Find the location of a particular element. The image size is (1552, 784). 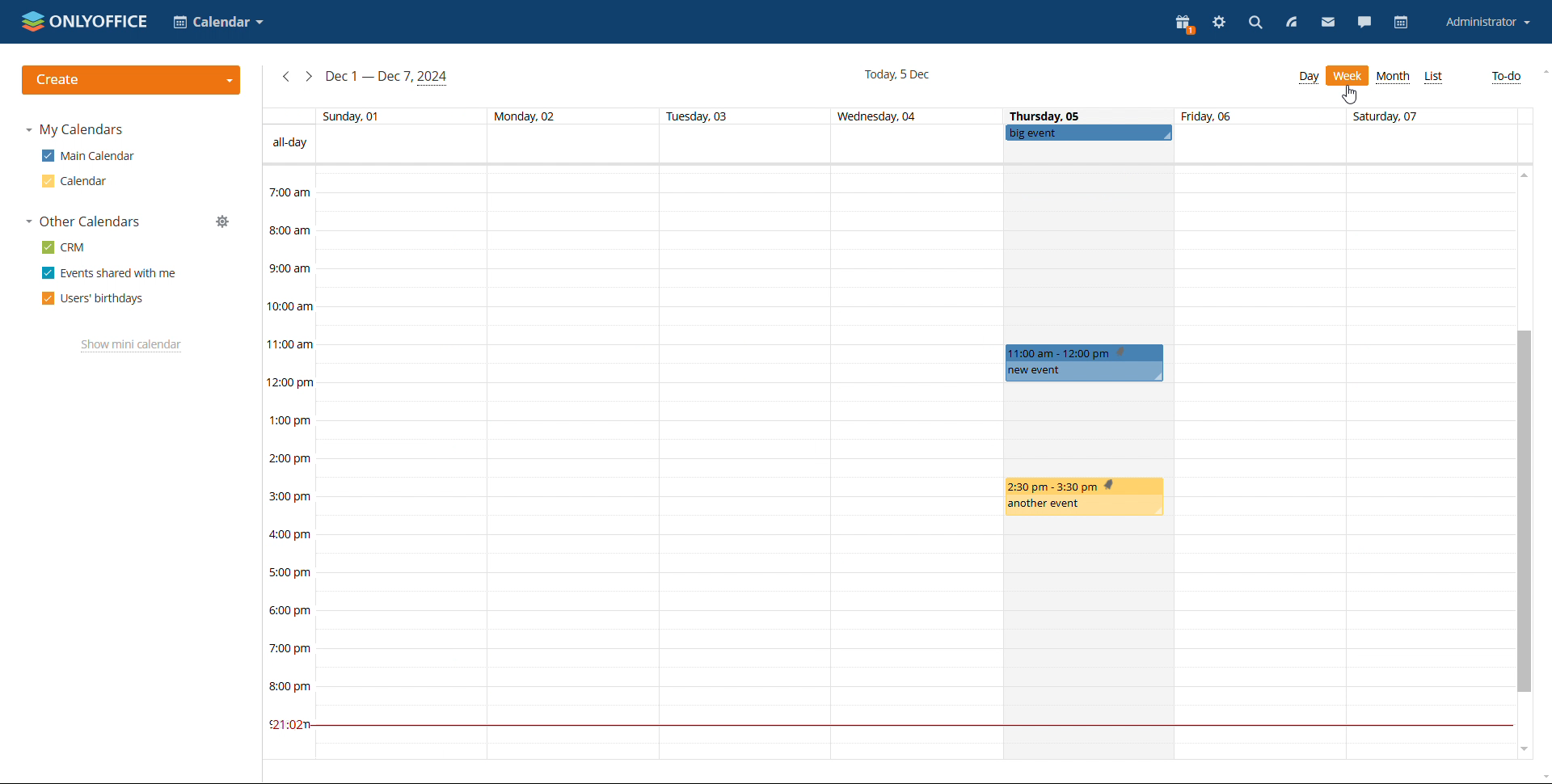

logo is located at coordinates (85, 21).